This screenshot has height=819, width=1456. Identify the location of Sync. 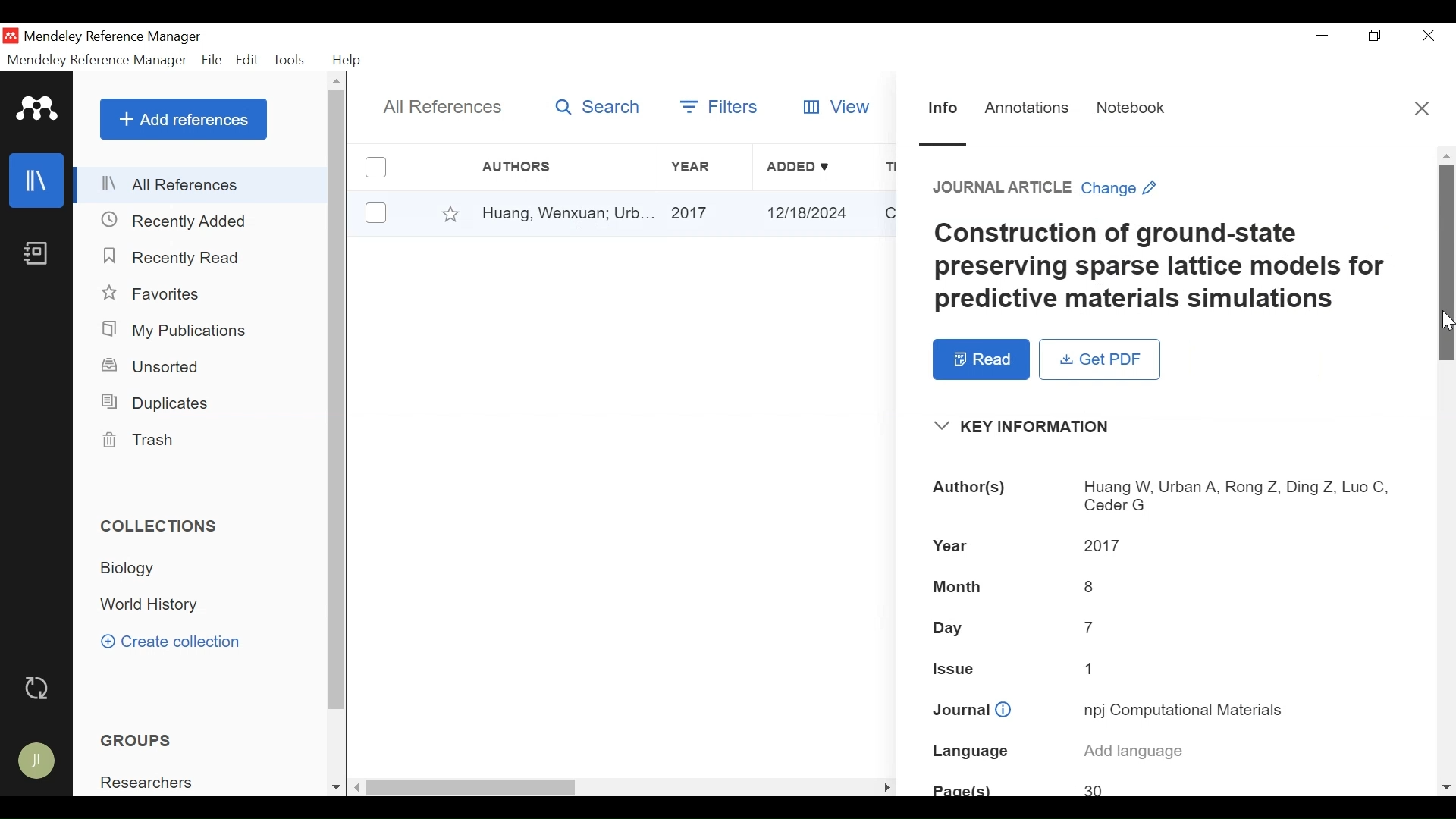
(39, 689).